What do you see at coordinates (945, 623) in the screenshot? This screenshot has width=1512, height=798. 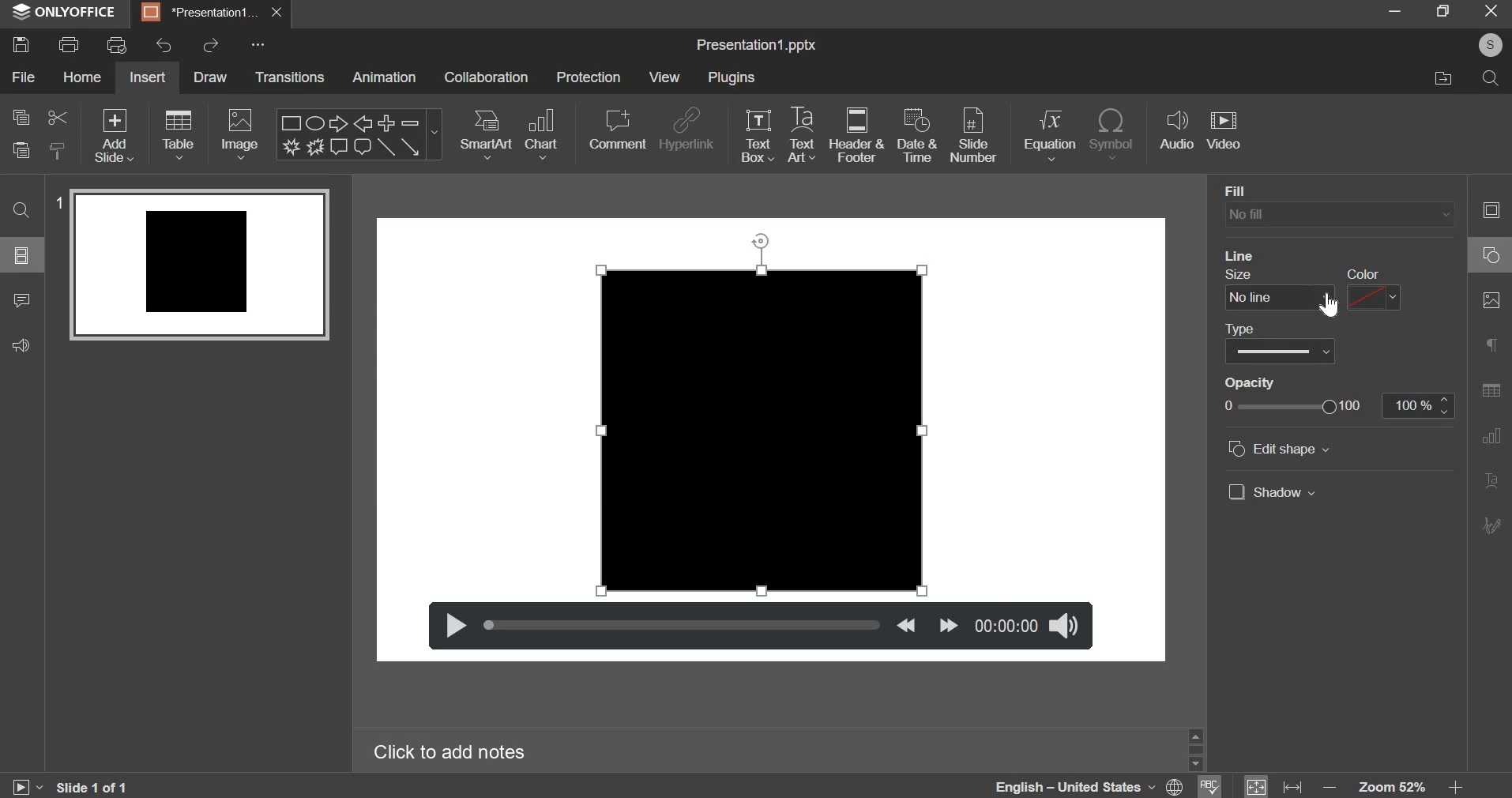 I see `move forward` at bounding box center [945, 623].